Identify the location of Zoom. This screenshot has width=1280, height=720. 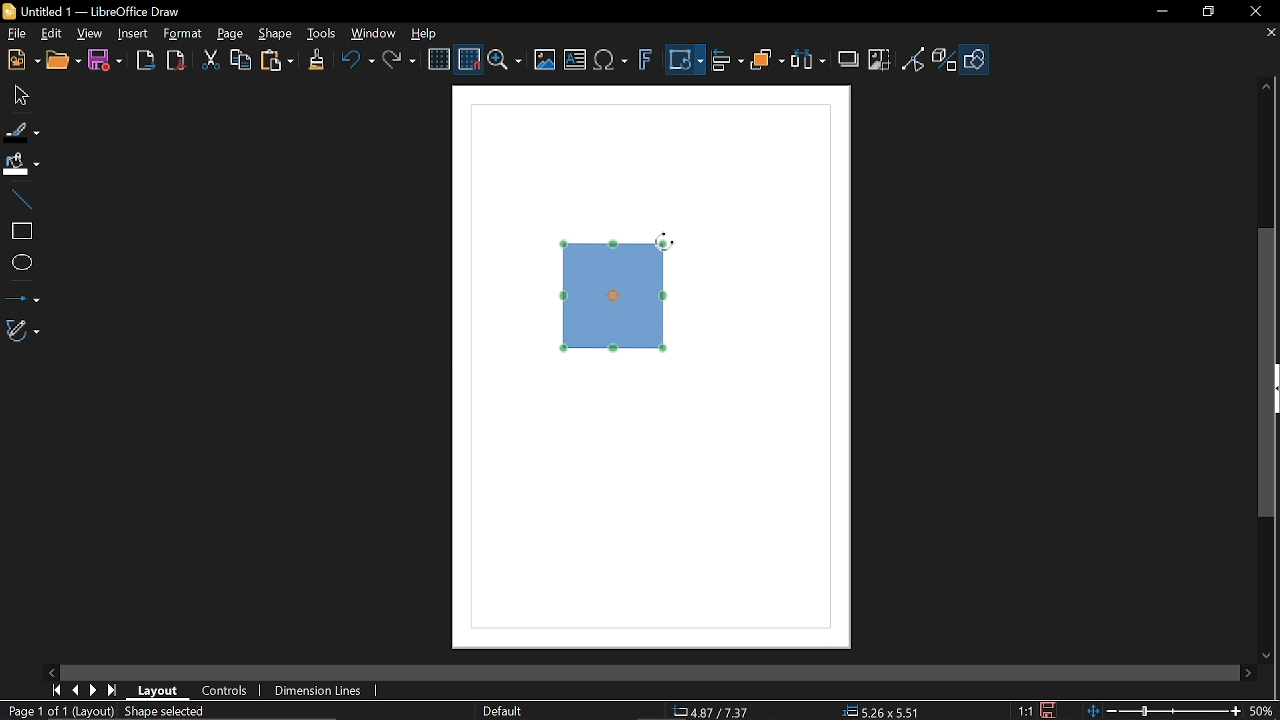
(506, 60).